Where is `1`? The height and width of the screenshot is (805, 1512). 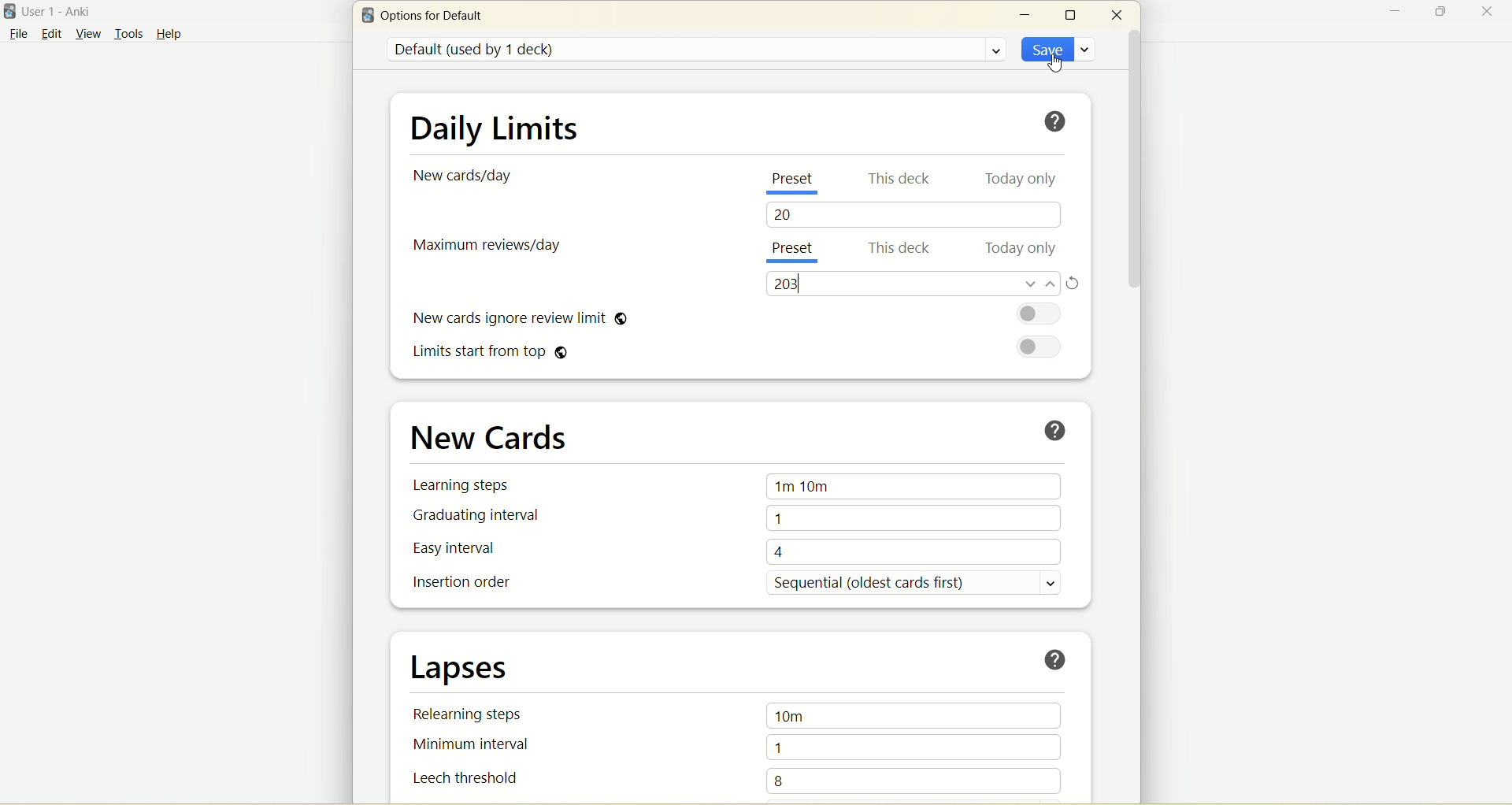 1 is located at coordinates (911, 517).